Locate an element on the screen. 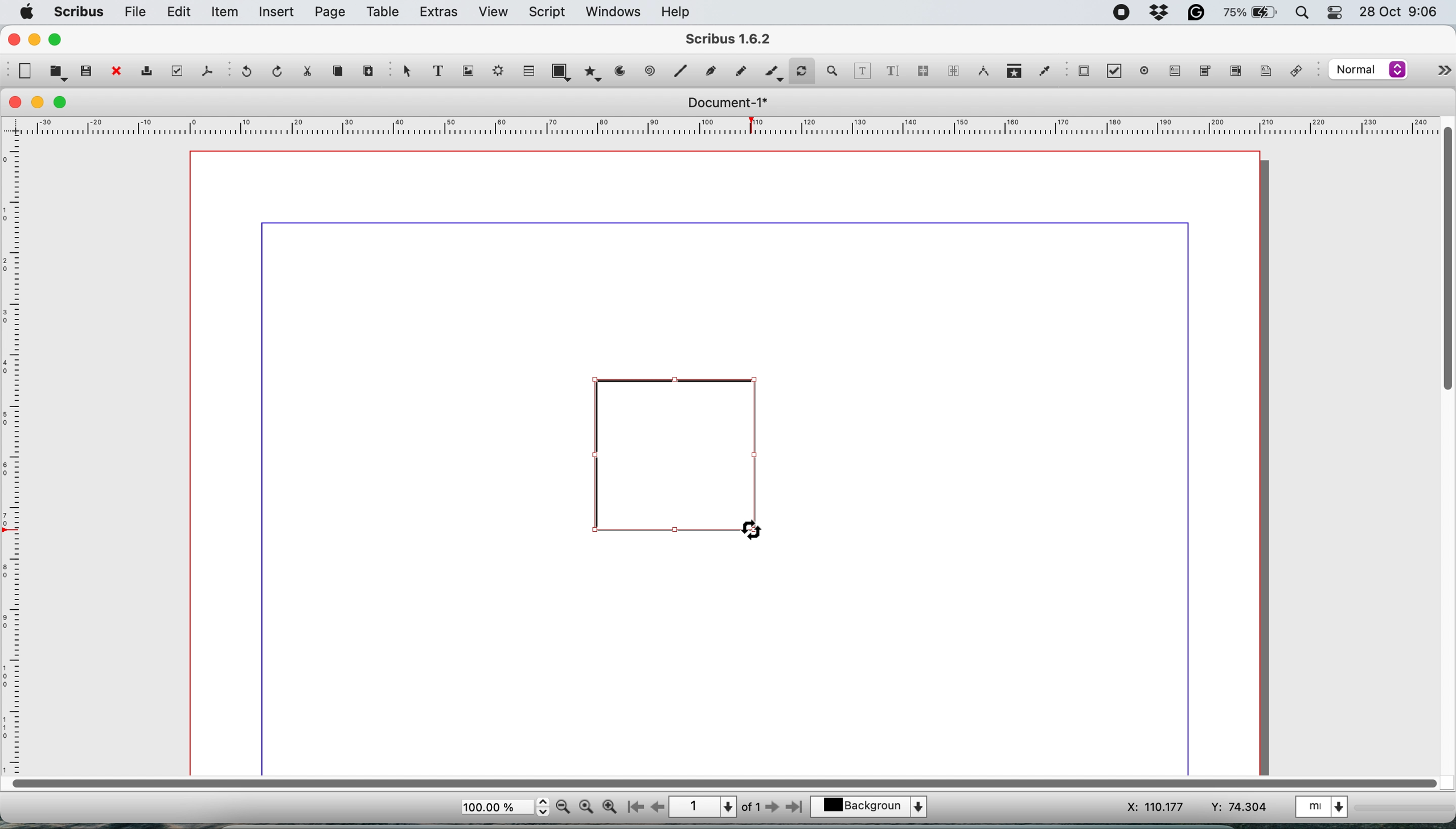 The width and height of the screenshot is (1456, 829). unlink text frames is located at coordinates (953, 72).